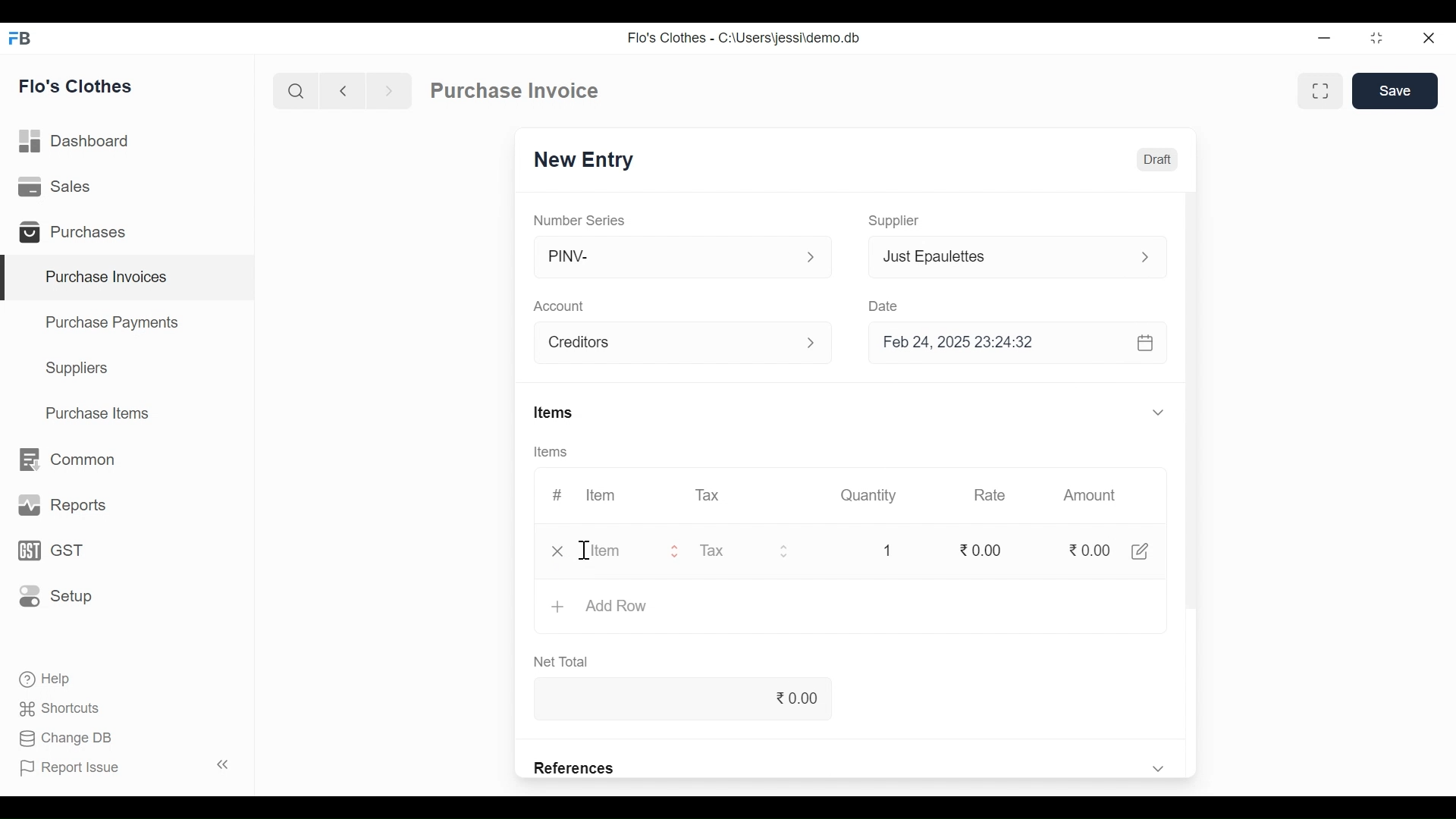  Describe the element at coordinates (77, 233) in the screenshot. I see `Purchases` at that location.